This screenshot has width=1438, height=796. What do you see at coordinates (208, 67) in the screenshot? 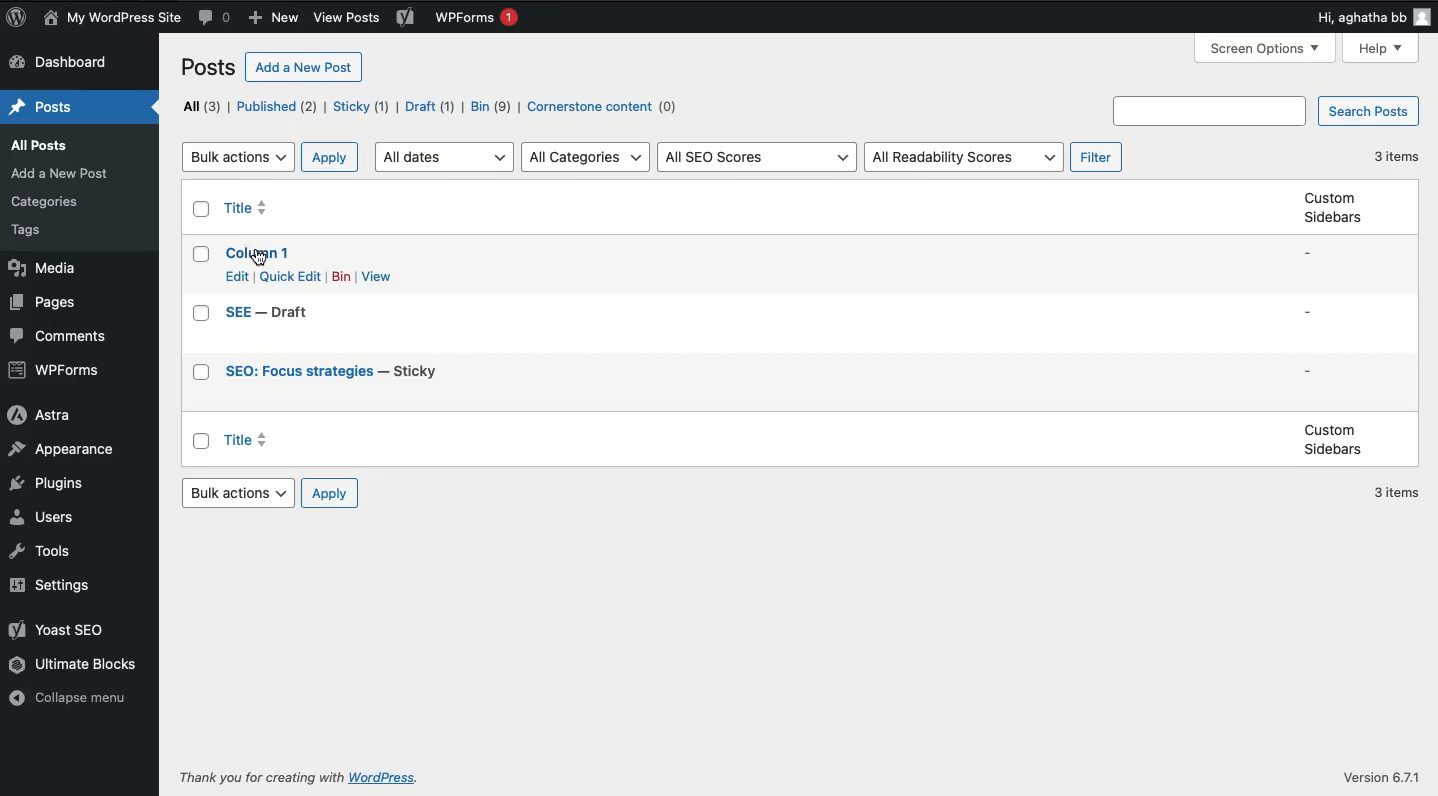
I see `Posts` at bounding box center [208, 67].